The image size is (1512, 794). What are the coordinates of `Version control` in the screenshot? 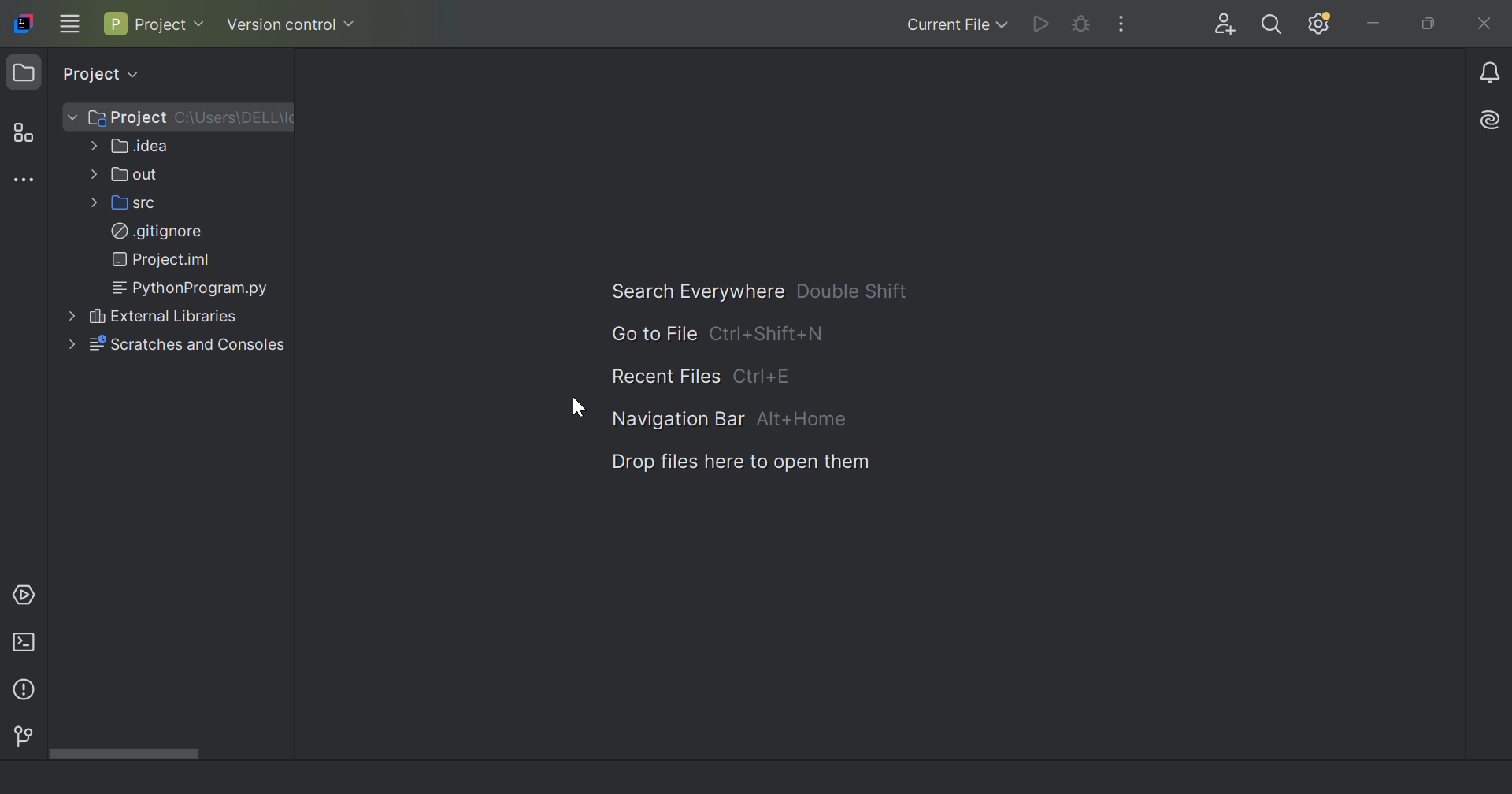 It's located at (20, 734).